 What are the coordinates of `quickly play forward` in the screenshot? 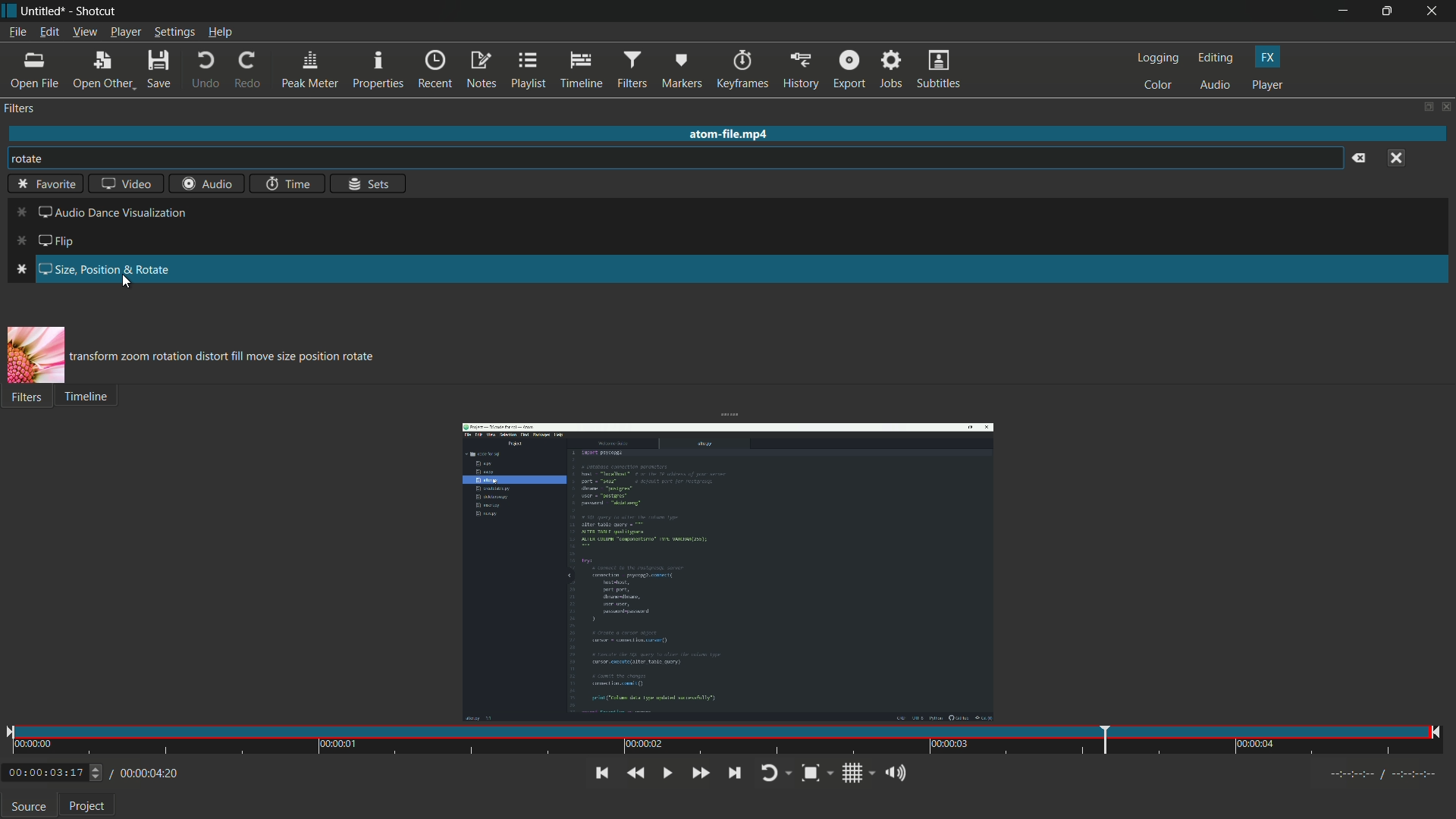 It's located at (700, 774).